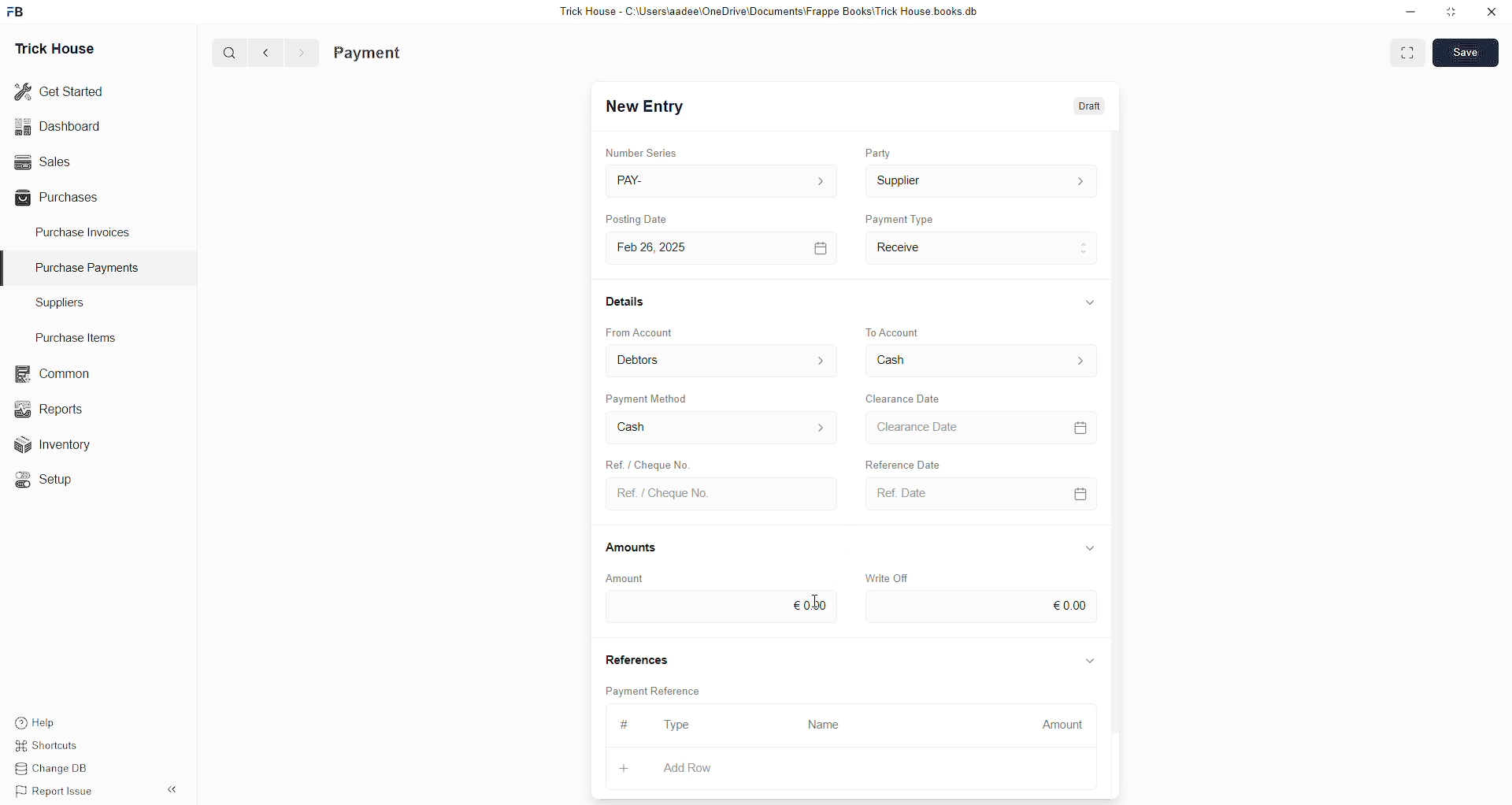  I want to click on Sales, so click(45, 161).